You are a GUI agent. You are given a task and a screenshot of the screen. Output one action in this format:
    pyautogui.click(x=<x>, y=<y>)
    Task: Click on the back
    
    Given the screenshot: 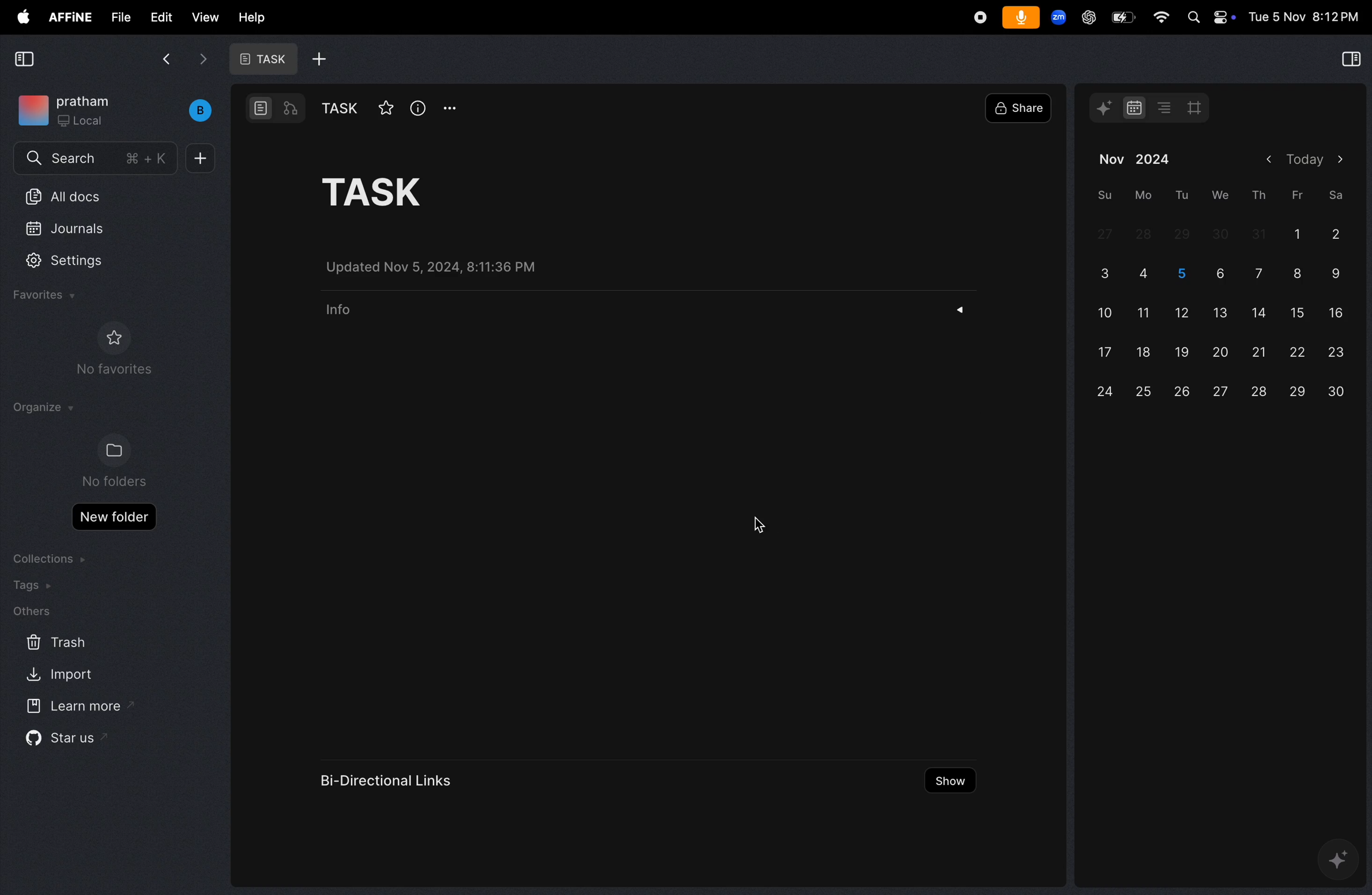 What is the action you would take?
    pyautogui.click(x=166, y=58)
    